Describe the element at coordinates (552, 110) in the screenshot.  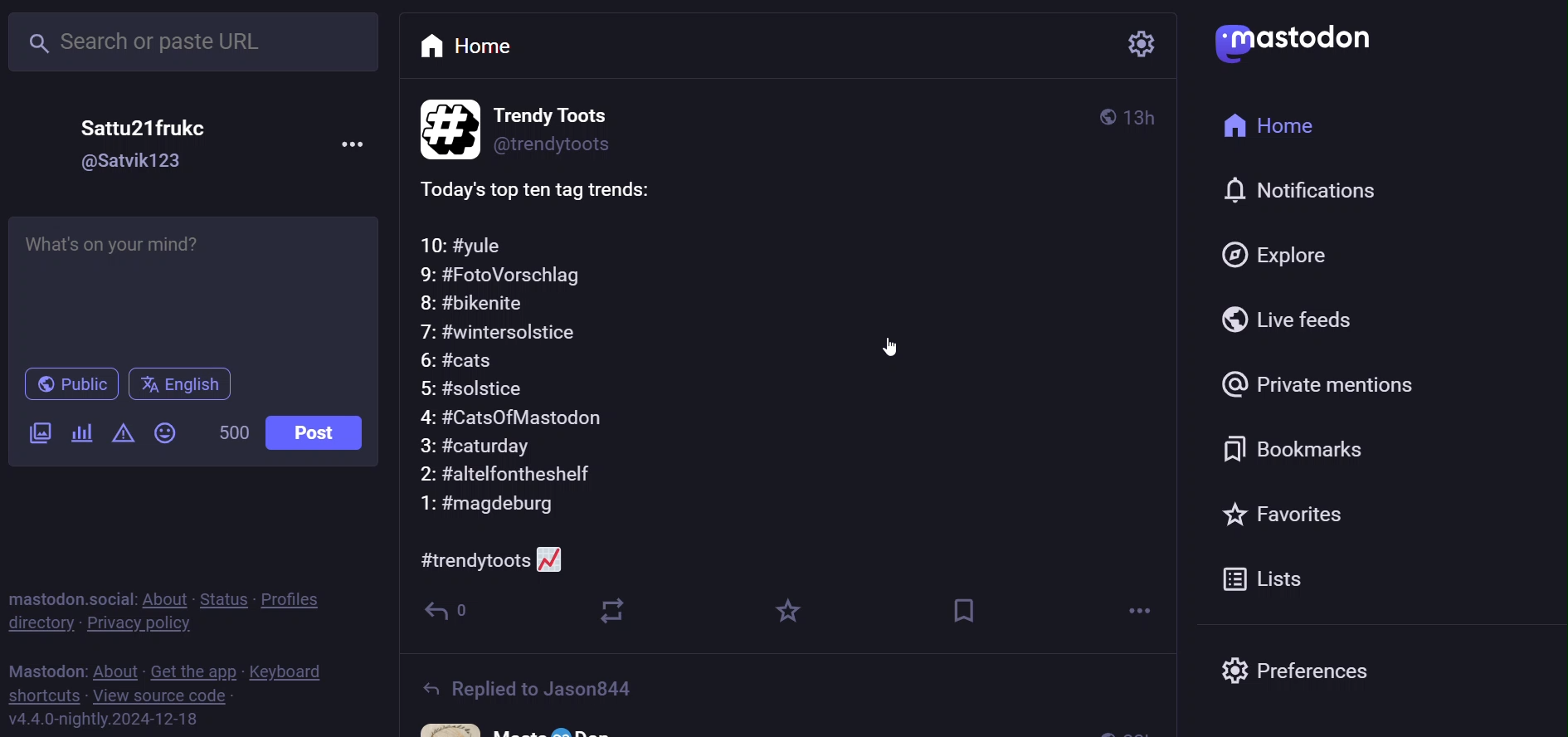
I see `Trendy Toots` at that location.